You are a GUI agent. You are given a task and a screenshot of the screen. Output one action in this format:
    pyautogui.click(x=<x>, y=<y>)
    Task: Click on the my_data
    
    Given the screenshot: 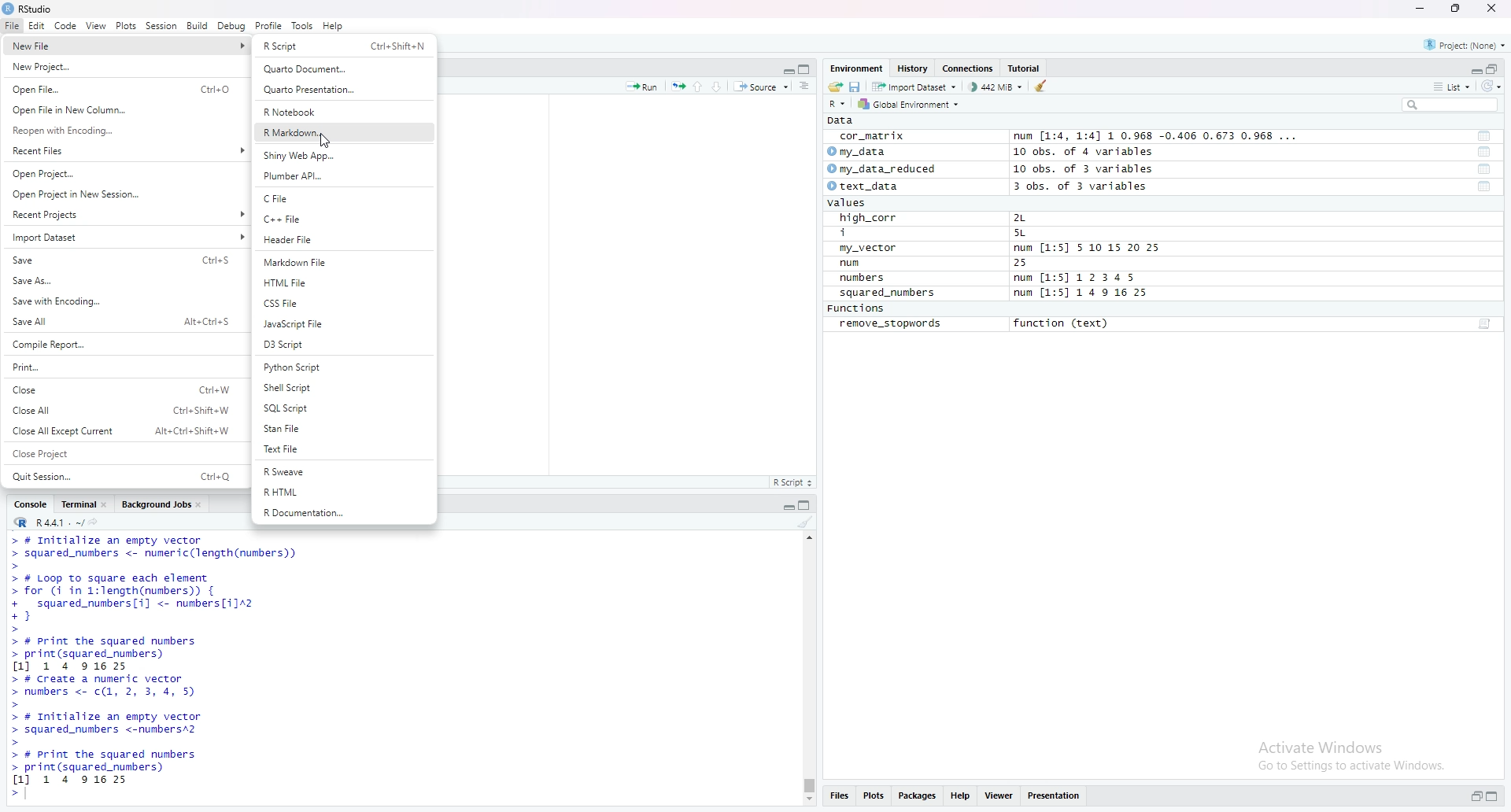 What is the action you would take?
    pyautogui.click(x=866, y=151)
    